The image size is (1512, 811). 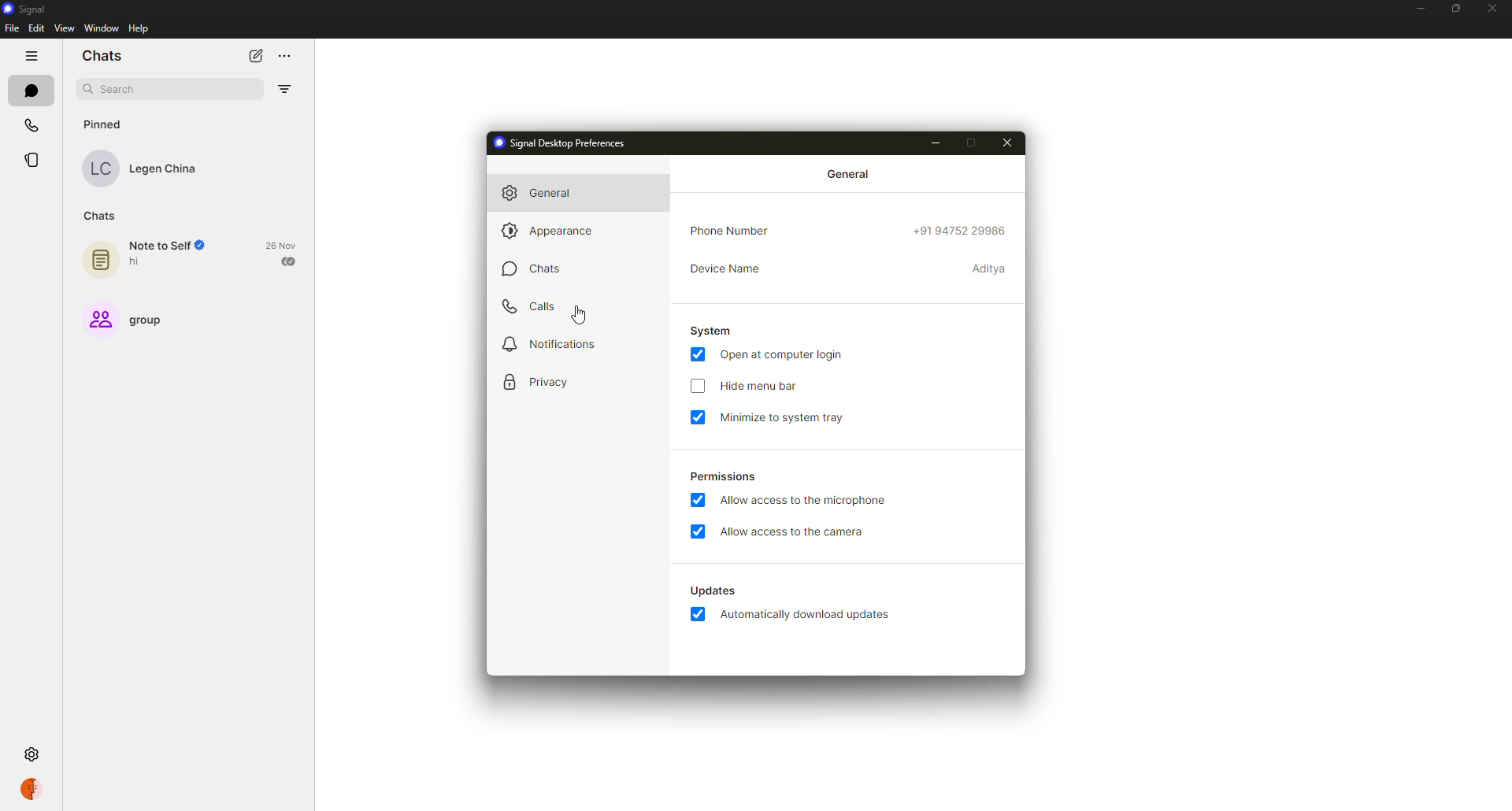 I want to click on close, so click(x=1492, y=7).